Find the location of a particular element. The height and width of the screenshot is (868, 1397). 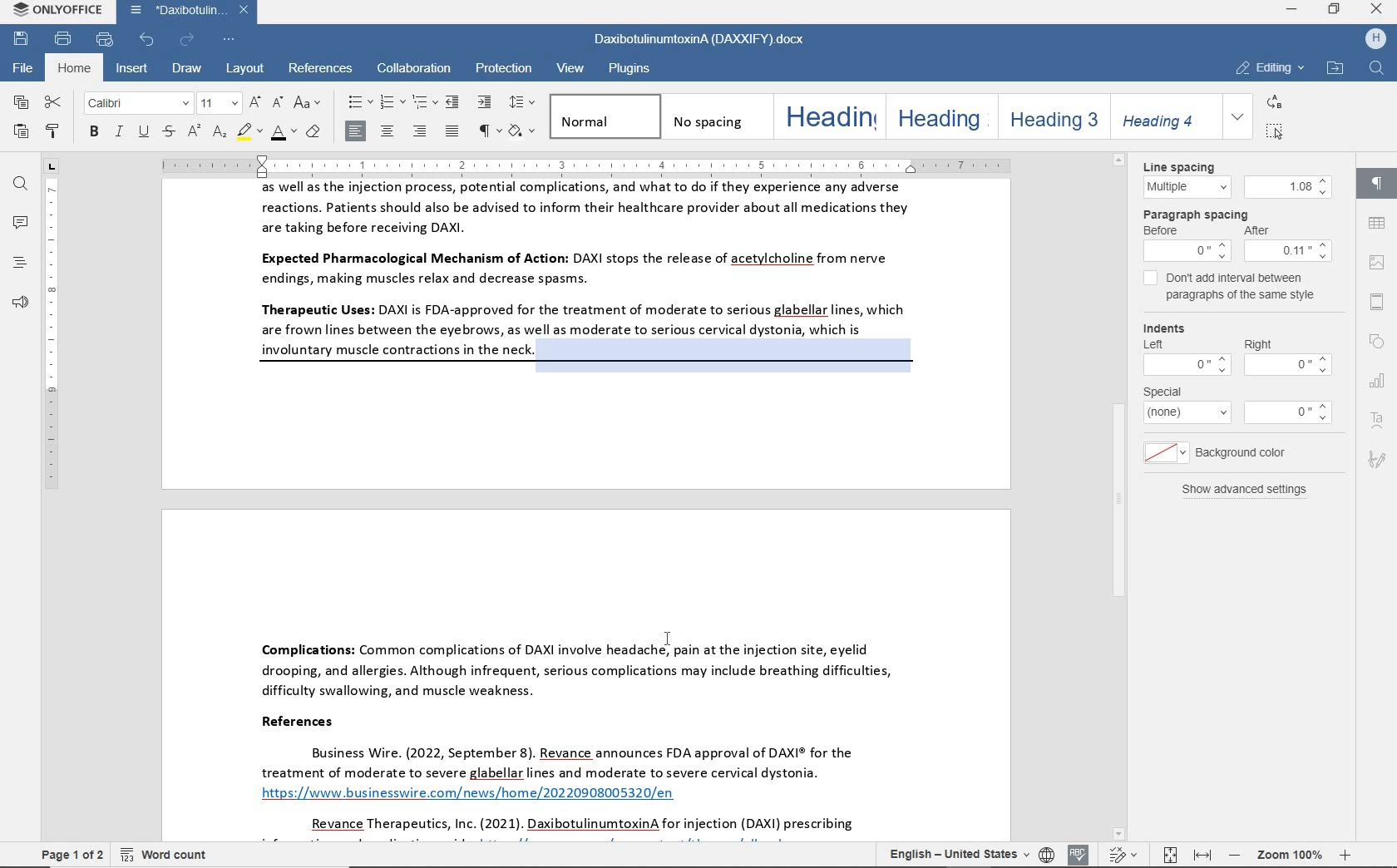

comments is located at coordinates (19, 223).